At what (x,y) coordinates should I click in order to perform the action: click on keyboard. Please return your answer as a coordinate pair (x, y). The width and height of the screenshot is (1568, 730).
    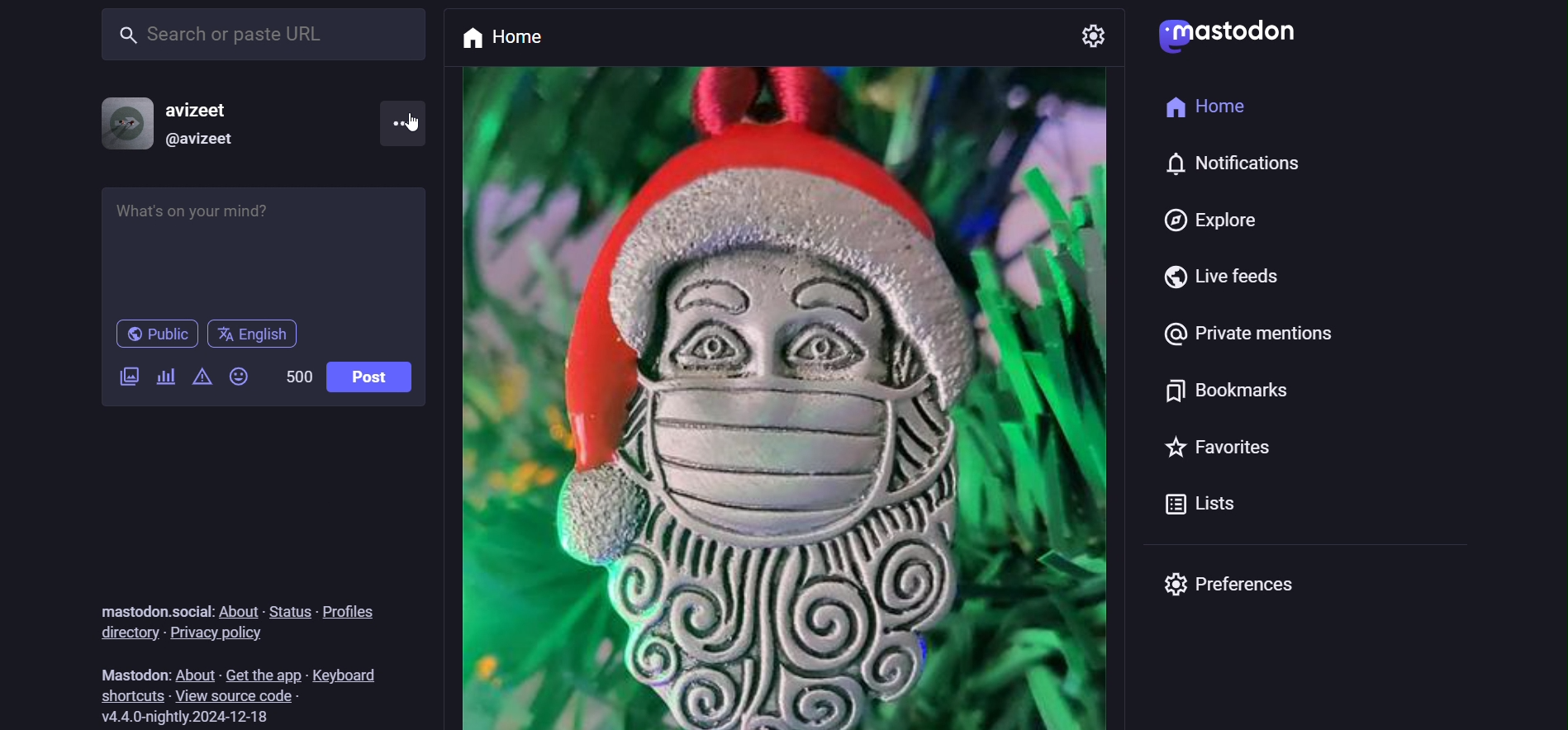
    Looking at the image, I should click on (354, 675).